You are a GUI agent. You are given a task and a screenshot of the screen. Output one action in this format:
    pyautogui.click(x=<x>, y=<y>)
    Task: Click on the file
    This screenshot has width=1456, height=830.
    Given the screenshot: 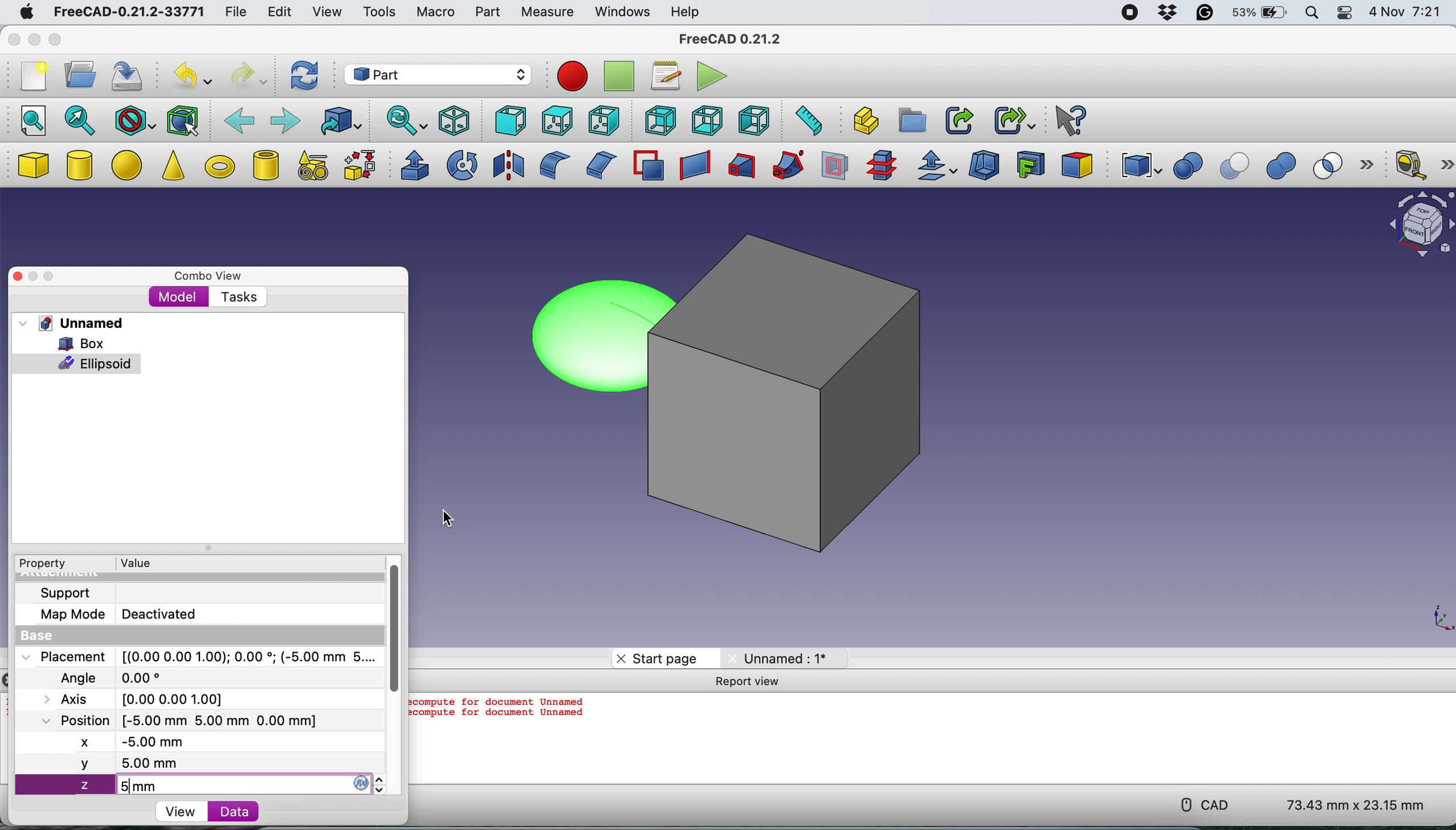 What is the action you would take?
    pyautogui.click(x=236, y=13)
    